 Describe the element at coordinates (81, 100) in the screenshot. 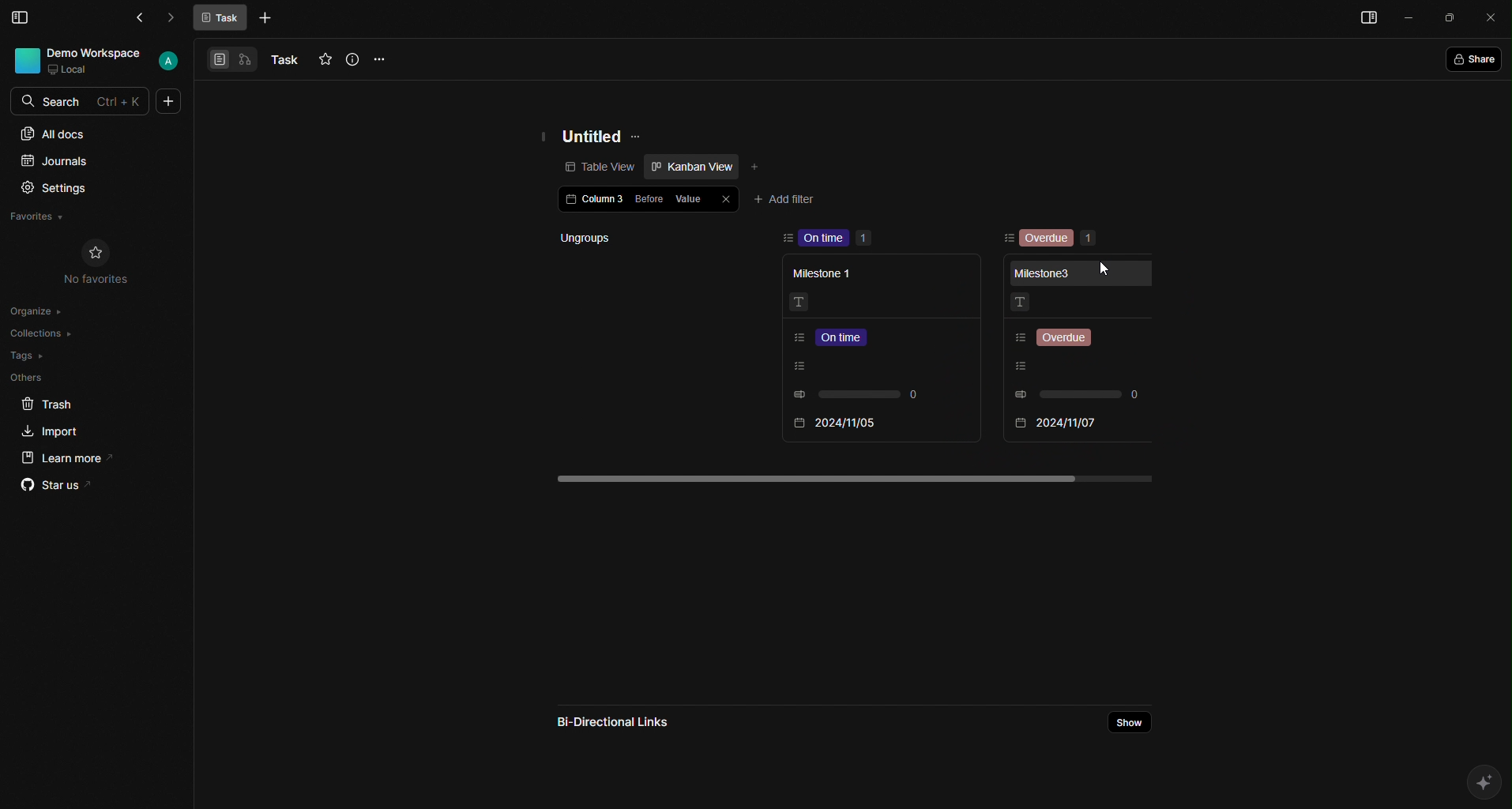

I see `Search` at that location.